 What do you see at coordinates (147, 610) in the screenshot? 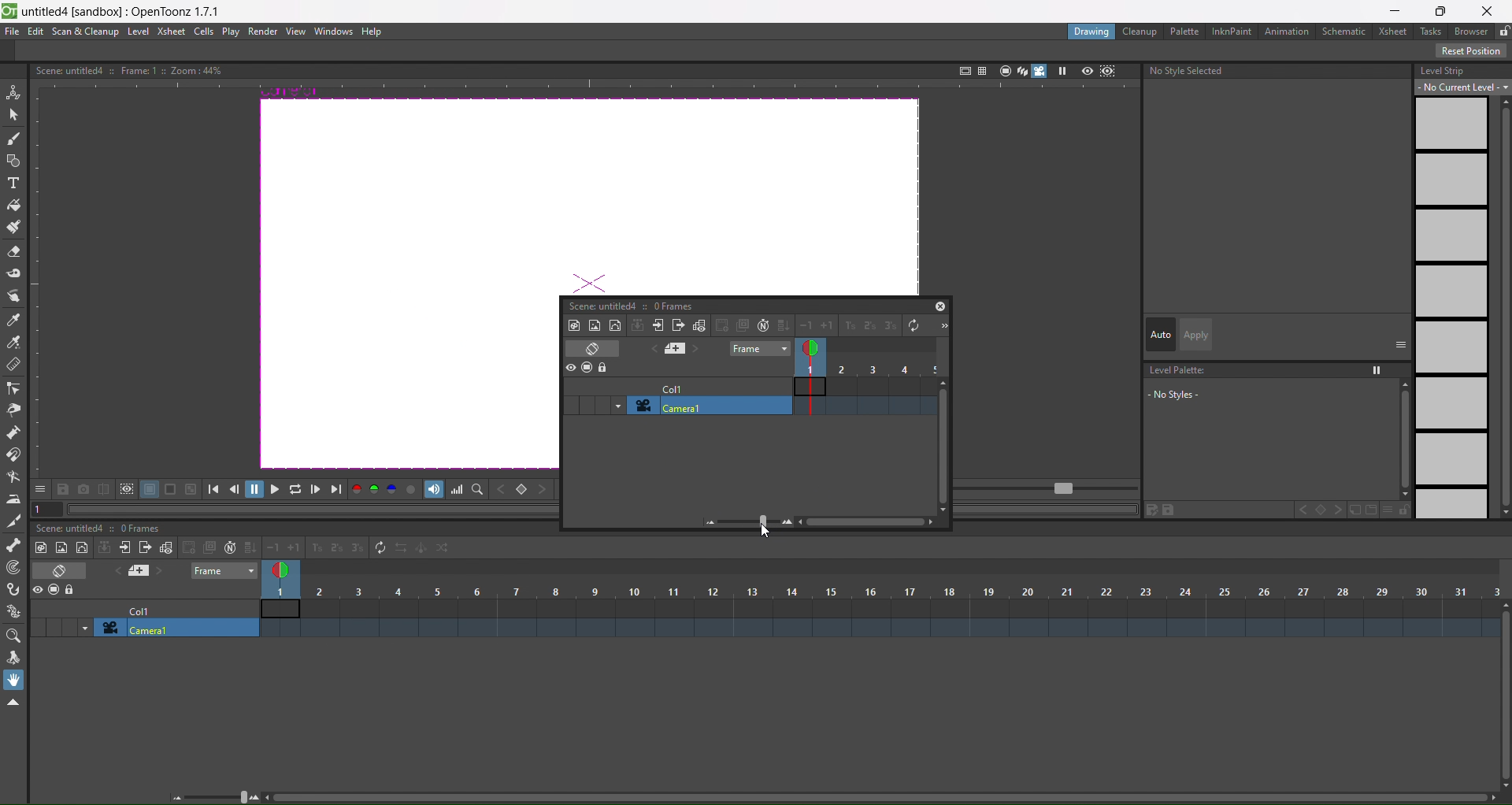
I see `col1` at bounding box center [147, 610].